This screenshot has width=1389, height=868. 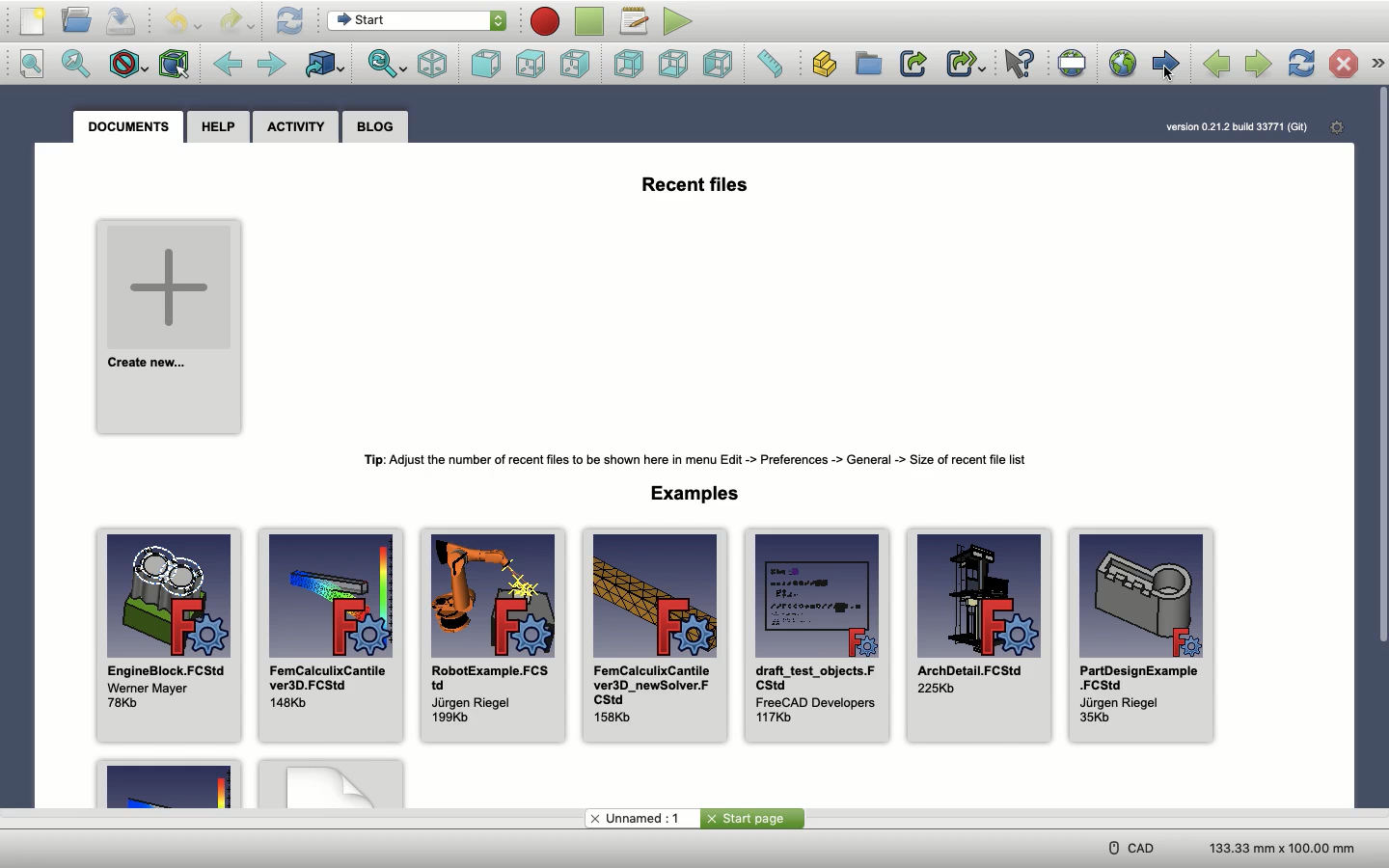 I want to click on Make sub-link, so click(x=967, y=64).